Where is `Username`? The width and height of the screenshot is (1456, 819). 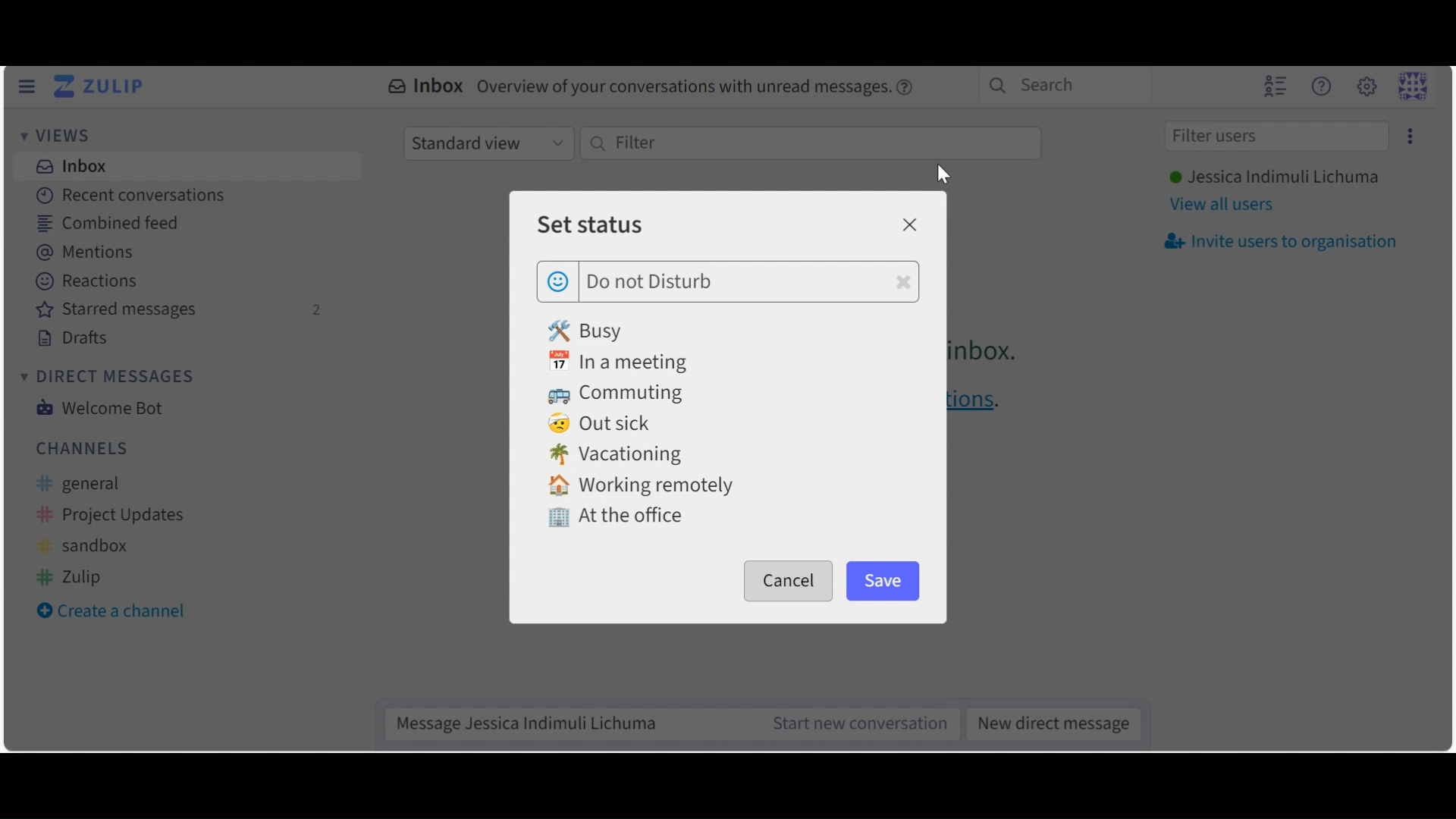 Username is located at coordinates (1272, 178).